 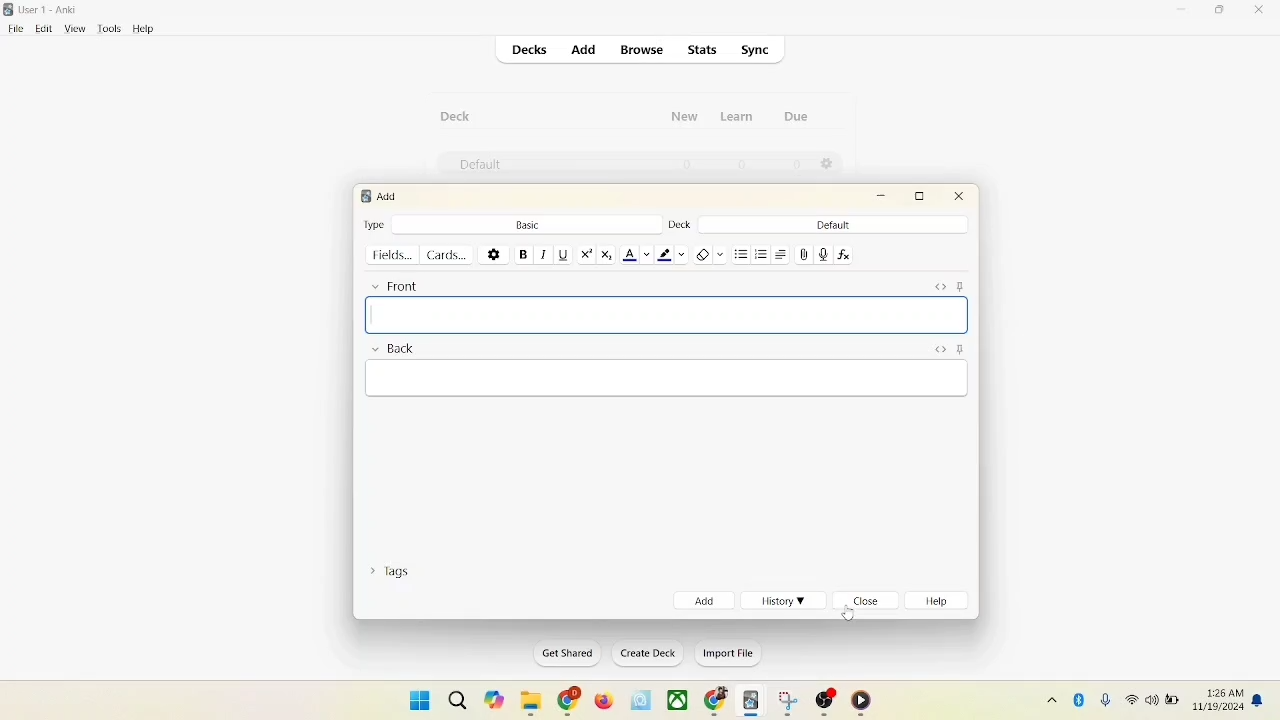 I want to click on help, so click(x=941, y=603).